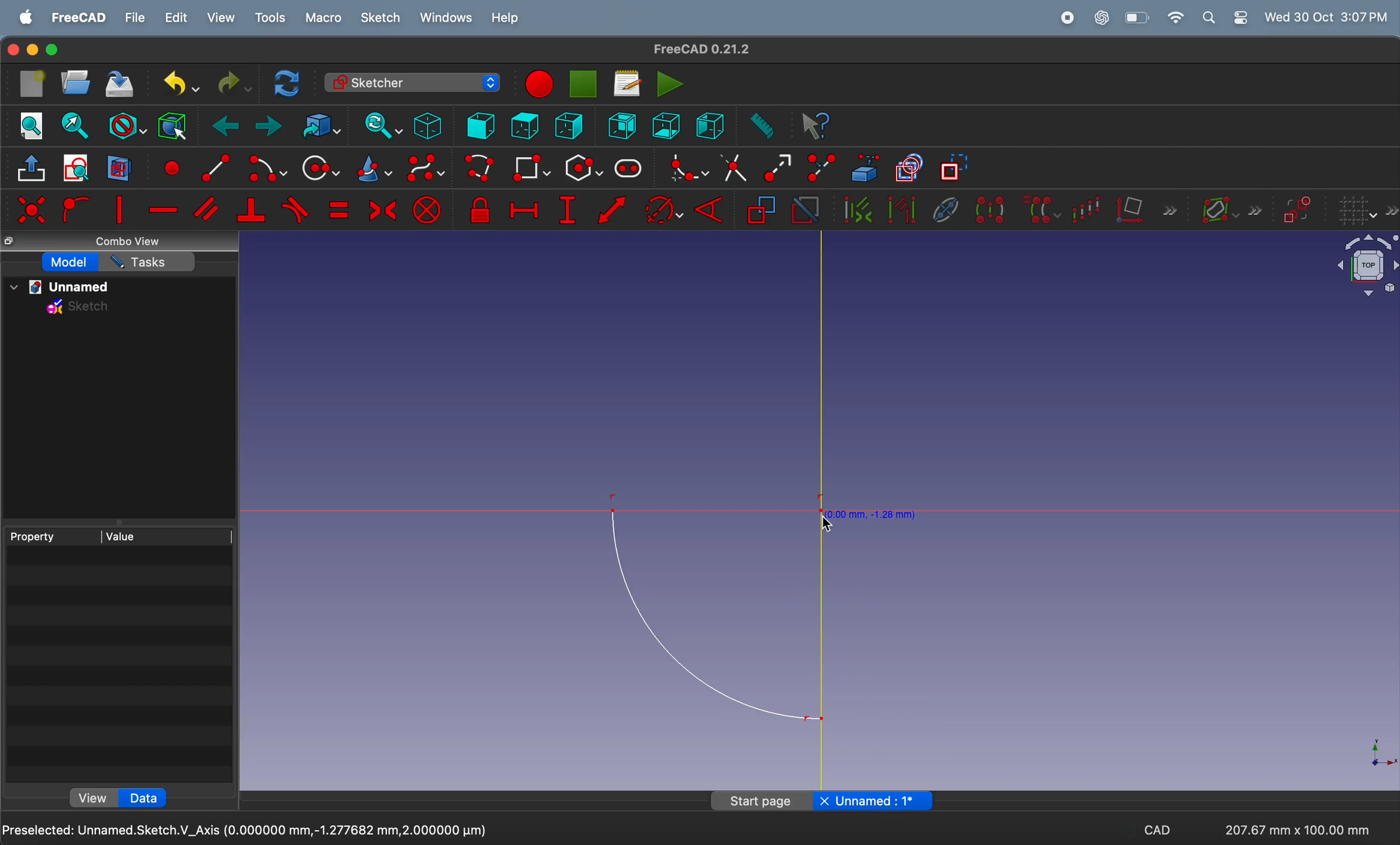  Describe the element at coordinates (52, 536) in the screenshot. I see `property` at that location.